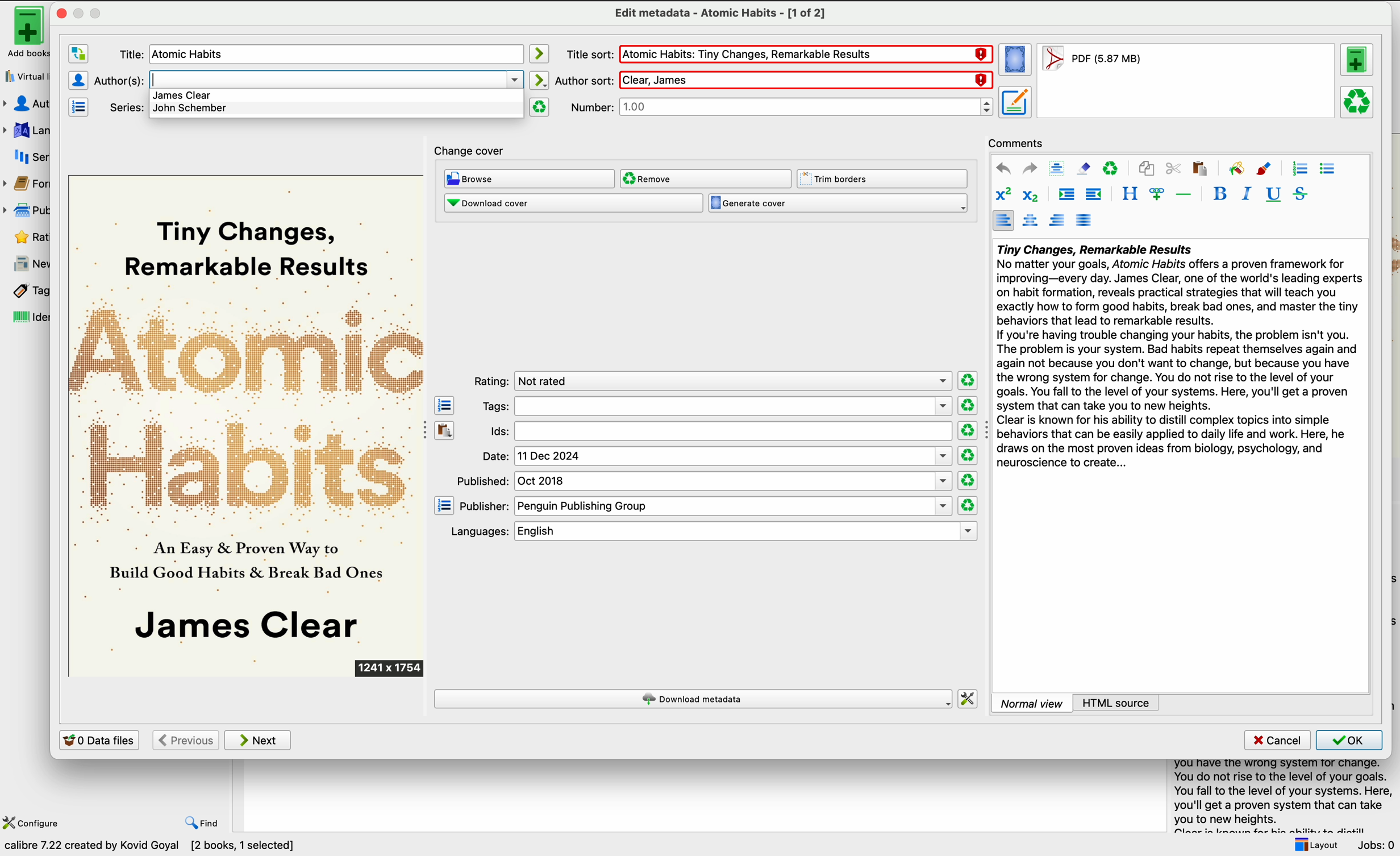 The image size is (1400, 856). What do you see at coordinates (445, 429) in the screenshot?
I see `paste the contents of the clipboard` at bounding box center [445, 429].